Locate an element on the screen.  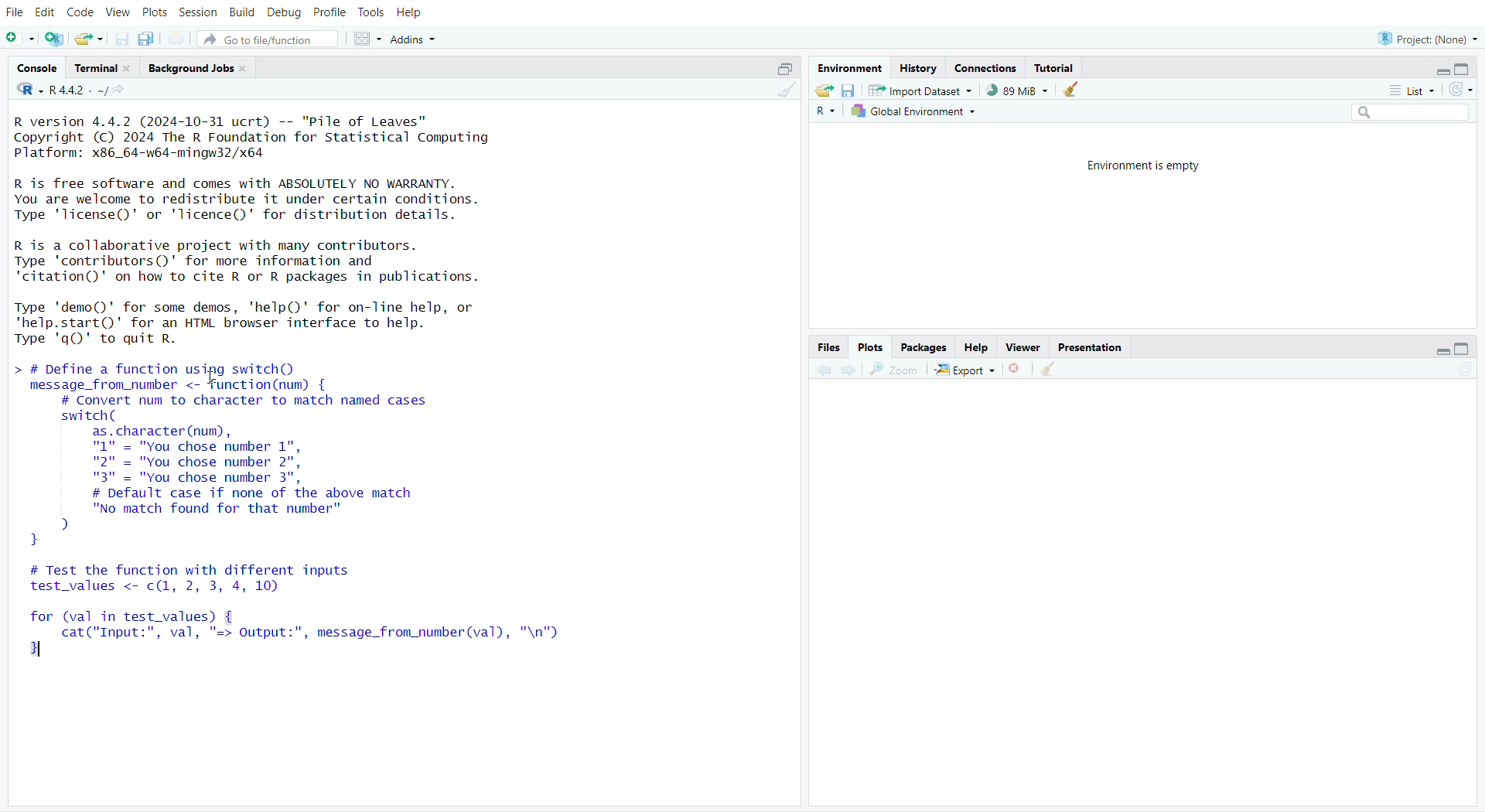
R is located at coordinates (830, 111).